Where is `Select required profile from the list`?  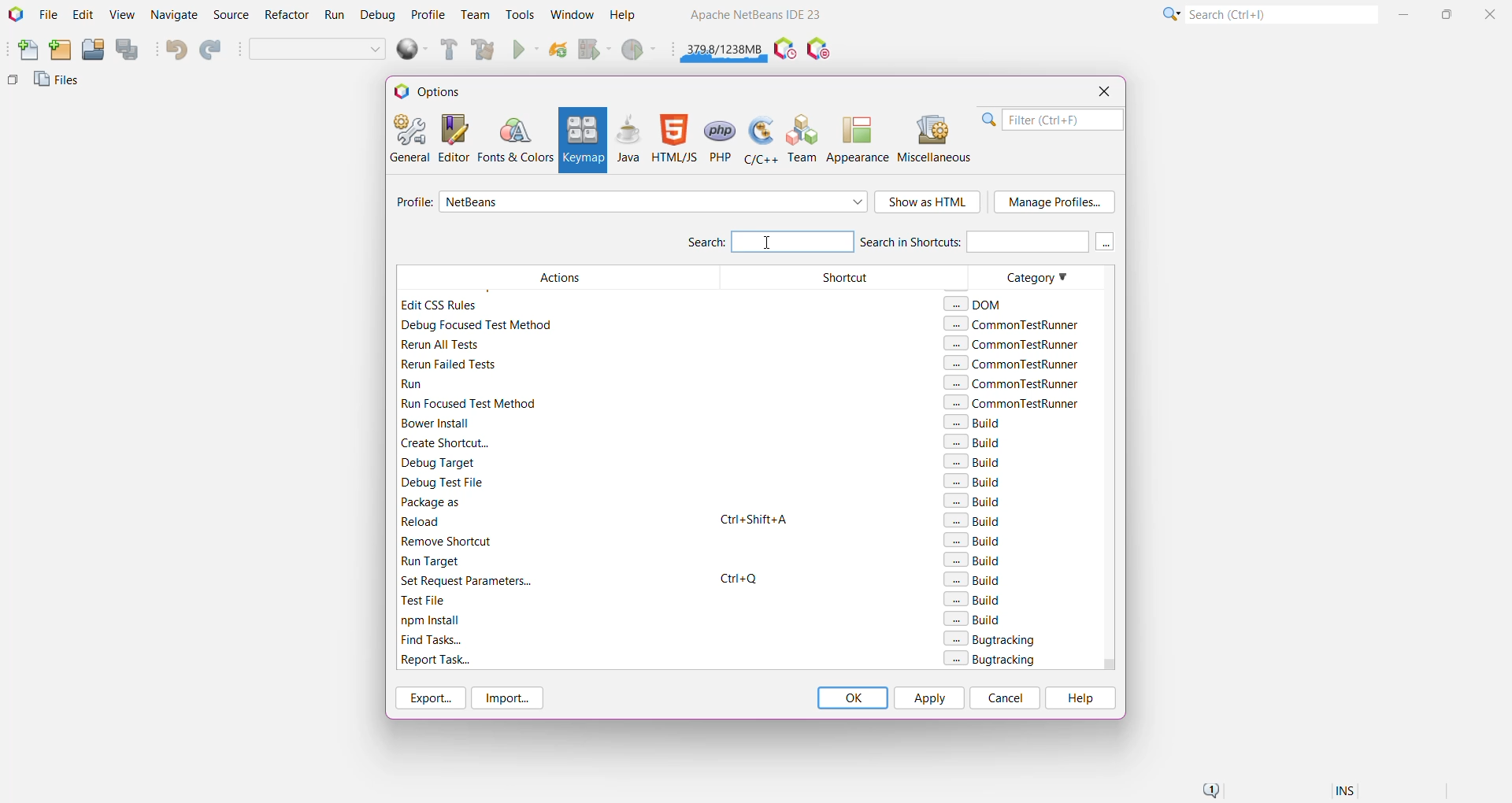 Select required profile from the list is located at coordinates (654, 202).